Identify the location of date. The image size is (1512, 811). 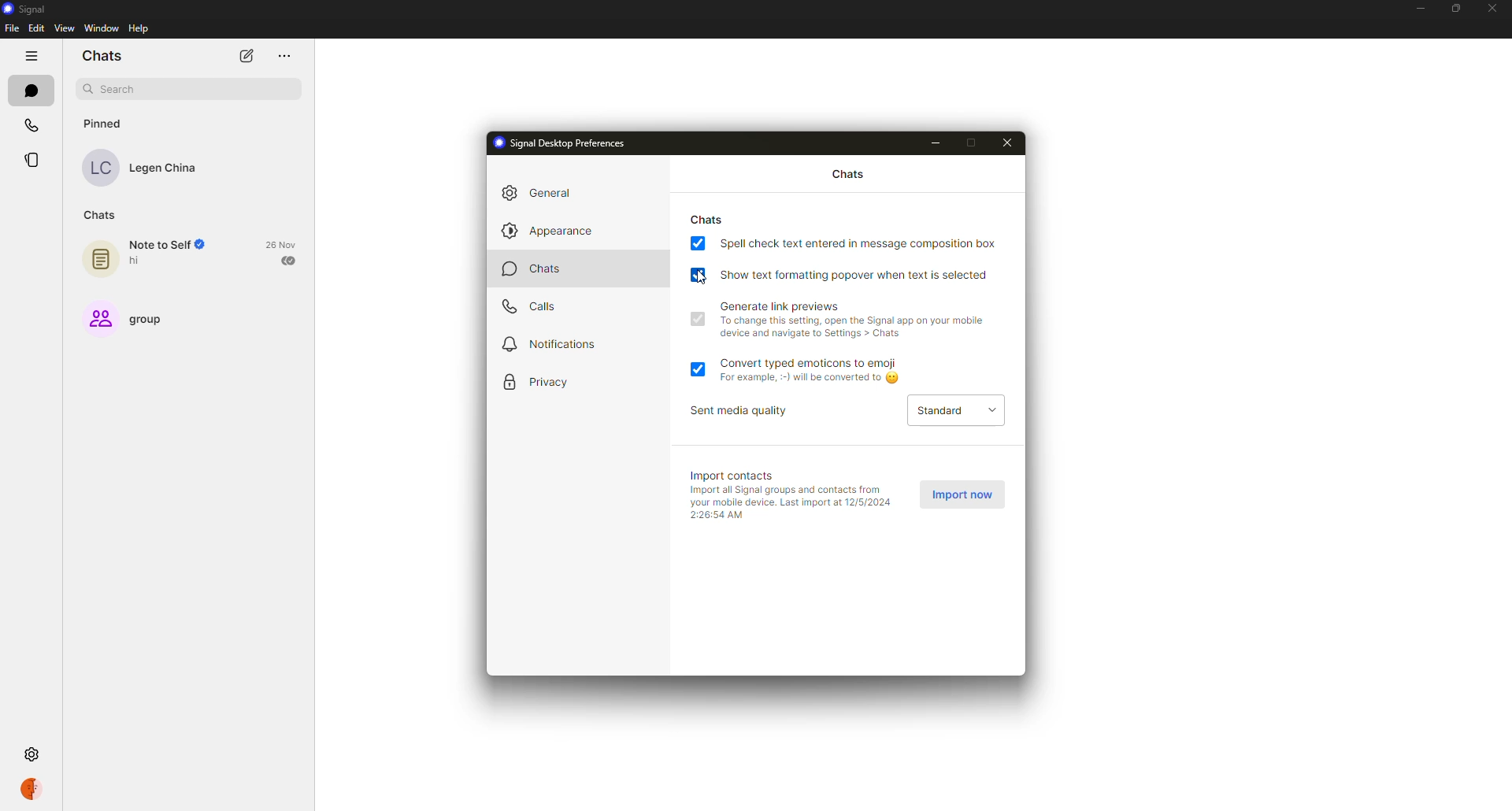
(282, 244).